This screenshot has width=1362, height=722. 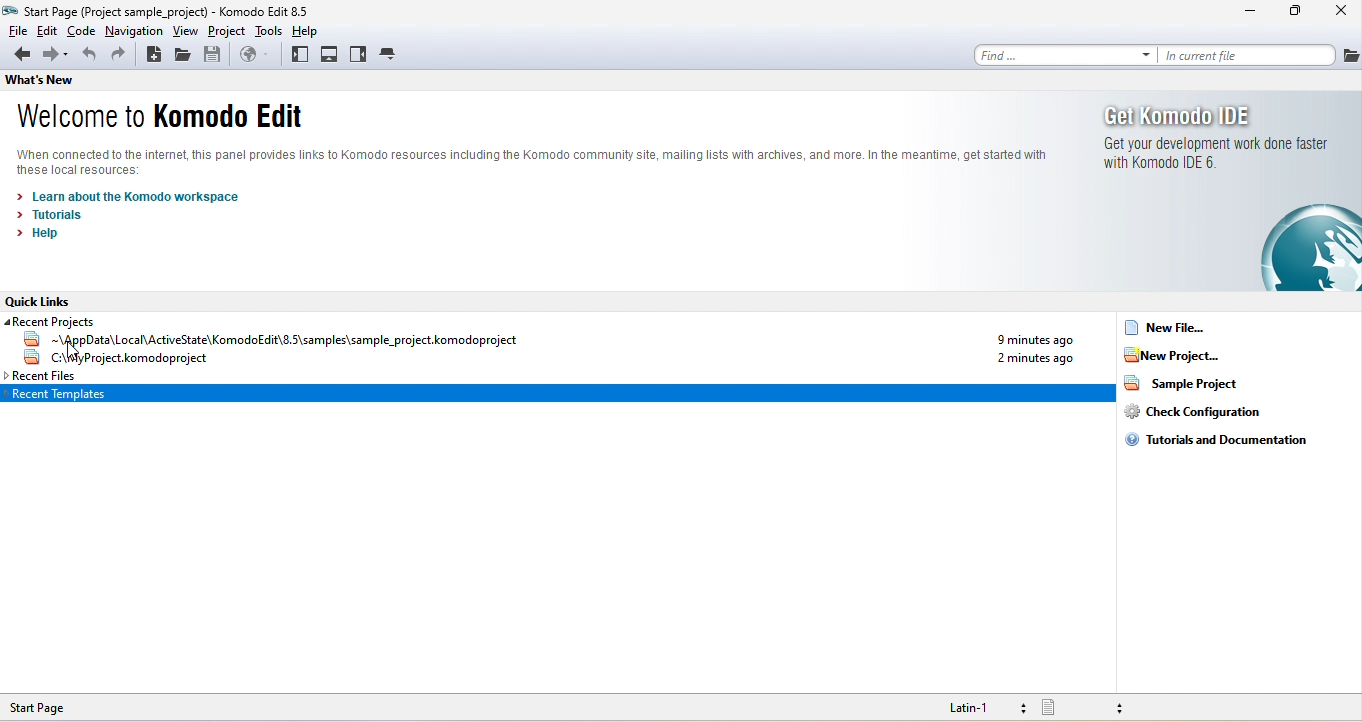 What do you see at coordinates (47, 302) in the screenshot?
I see `quick link` at bounding box center [47, 302].